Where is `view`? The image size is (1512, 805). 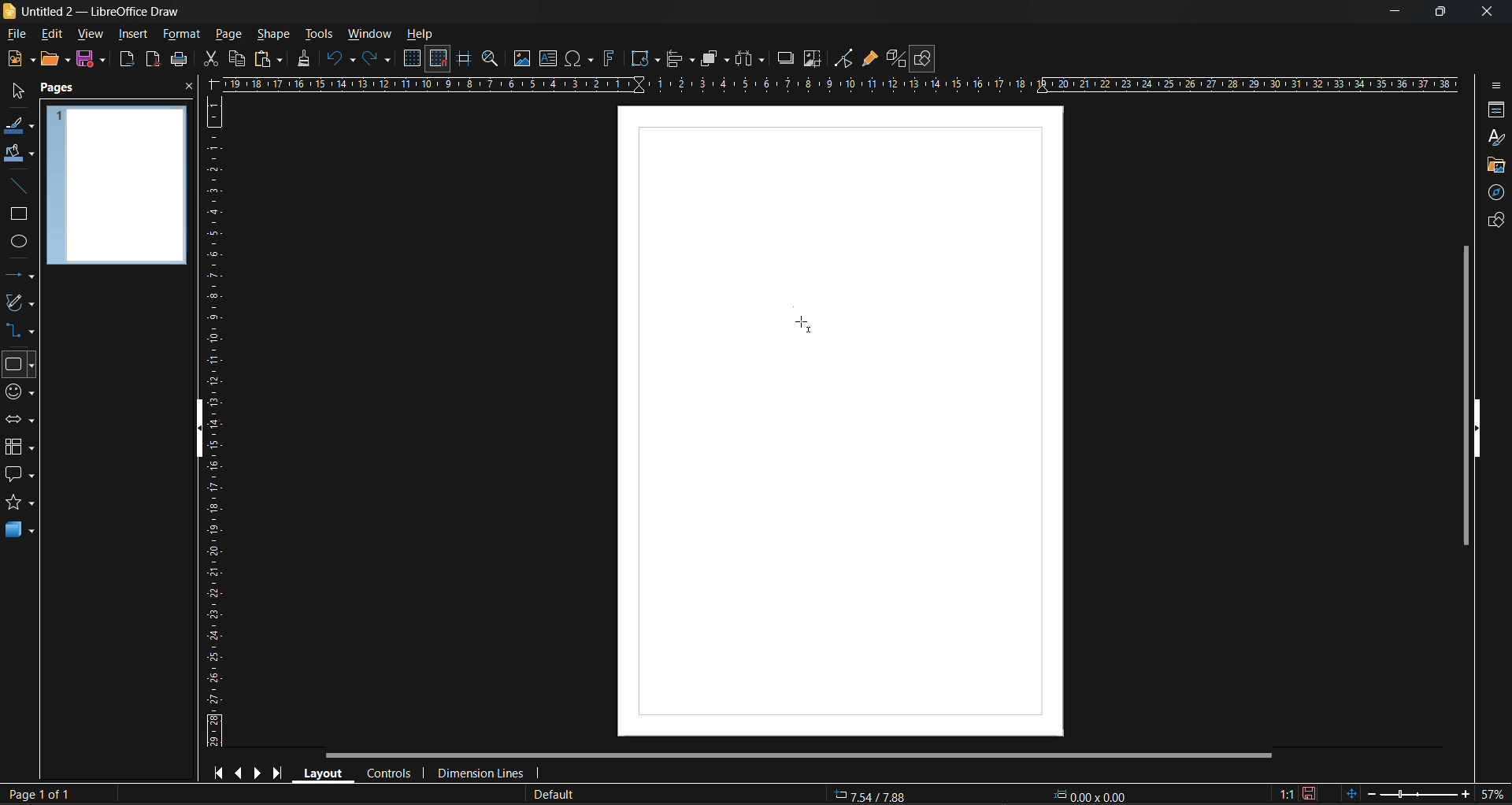 view is located at coordinates (87, 33).